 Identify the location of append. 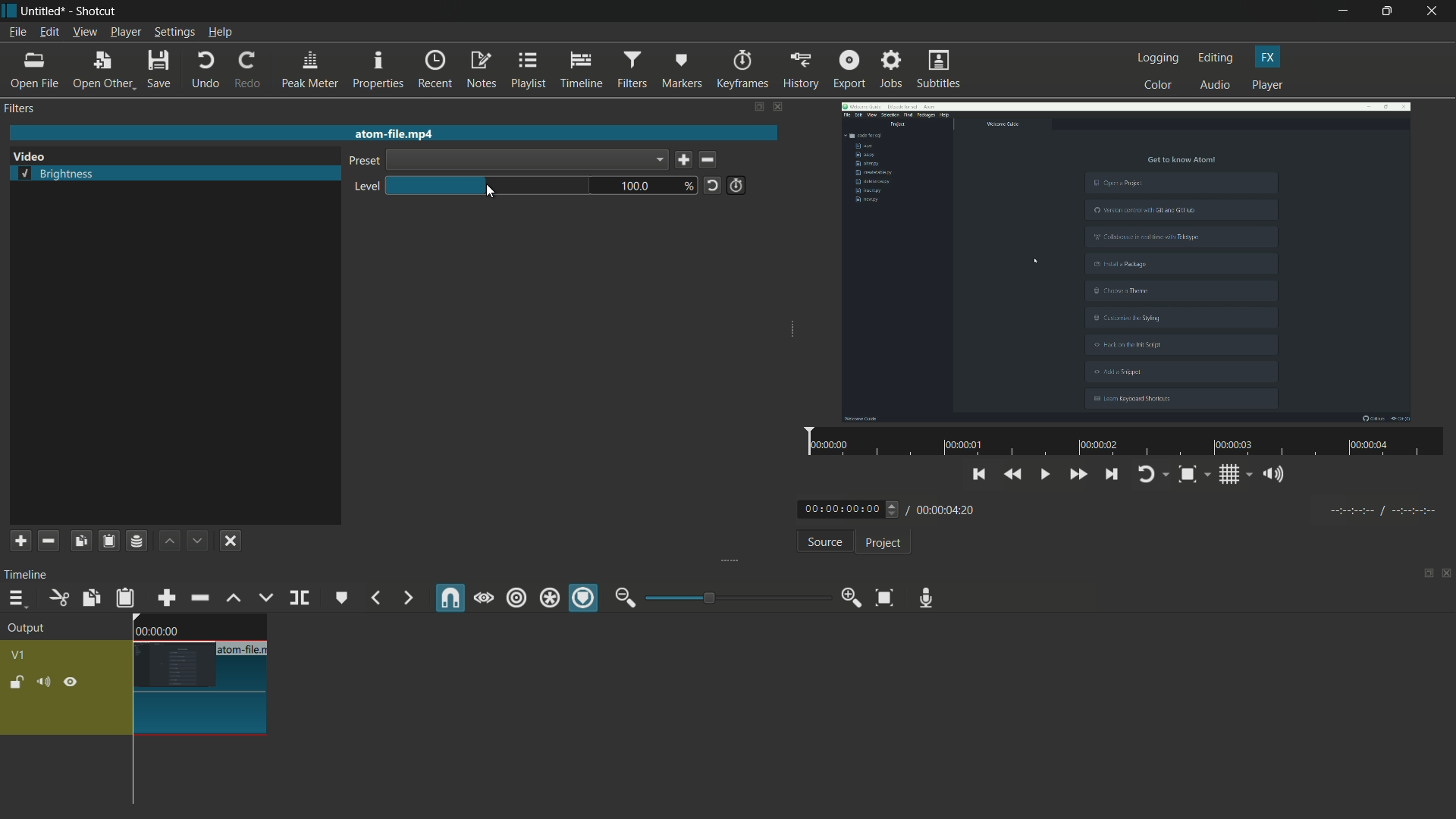
(165, 598).